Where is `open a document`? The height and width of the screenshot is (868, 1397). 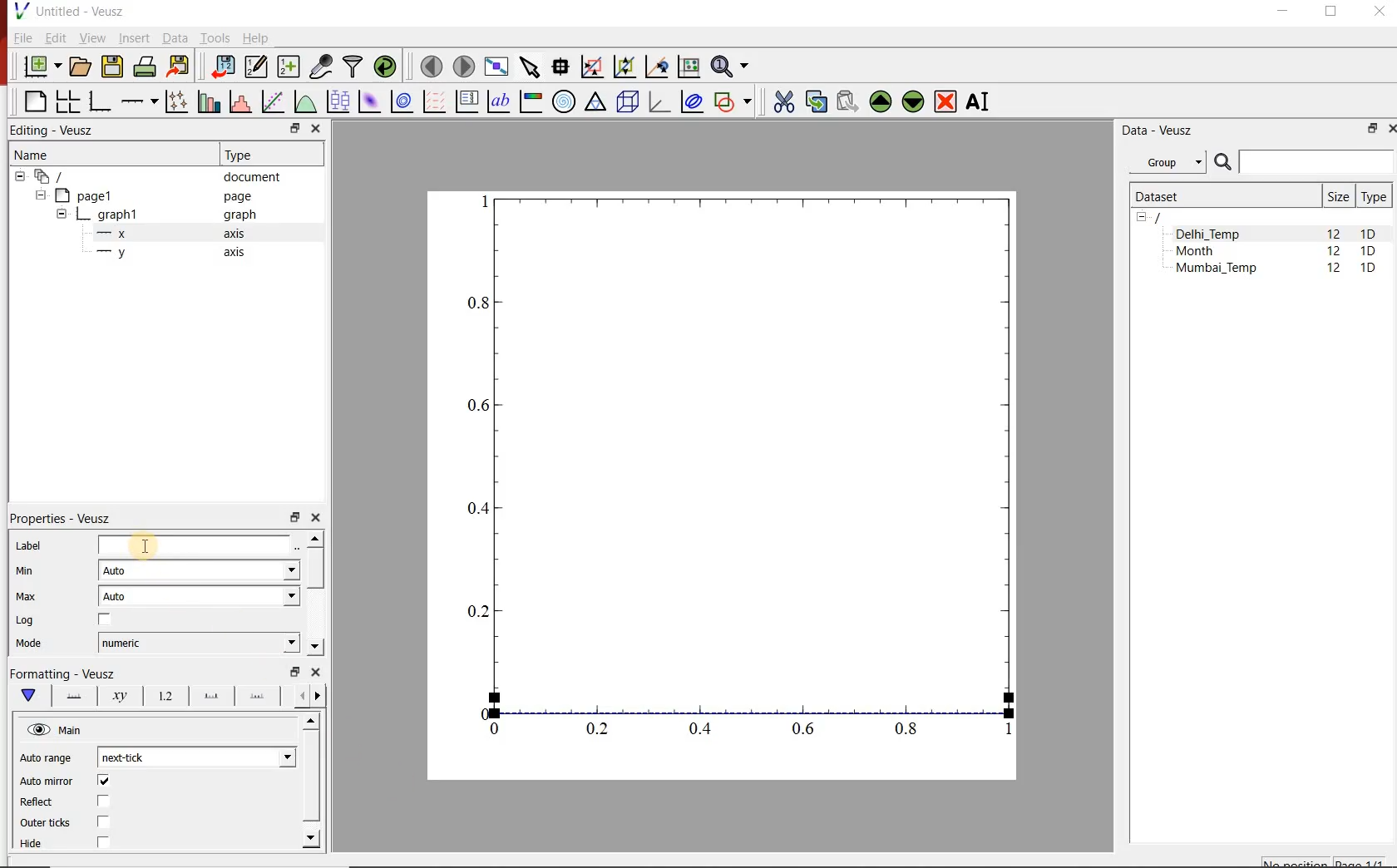
open a document is located at coordinates (79, 67).